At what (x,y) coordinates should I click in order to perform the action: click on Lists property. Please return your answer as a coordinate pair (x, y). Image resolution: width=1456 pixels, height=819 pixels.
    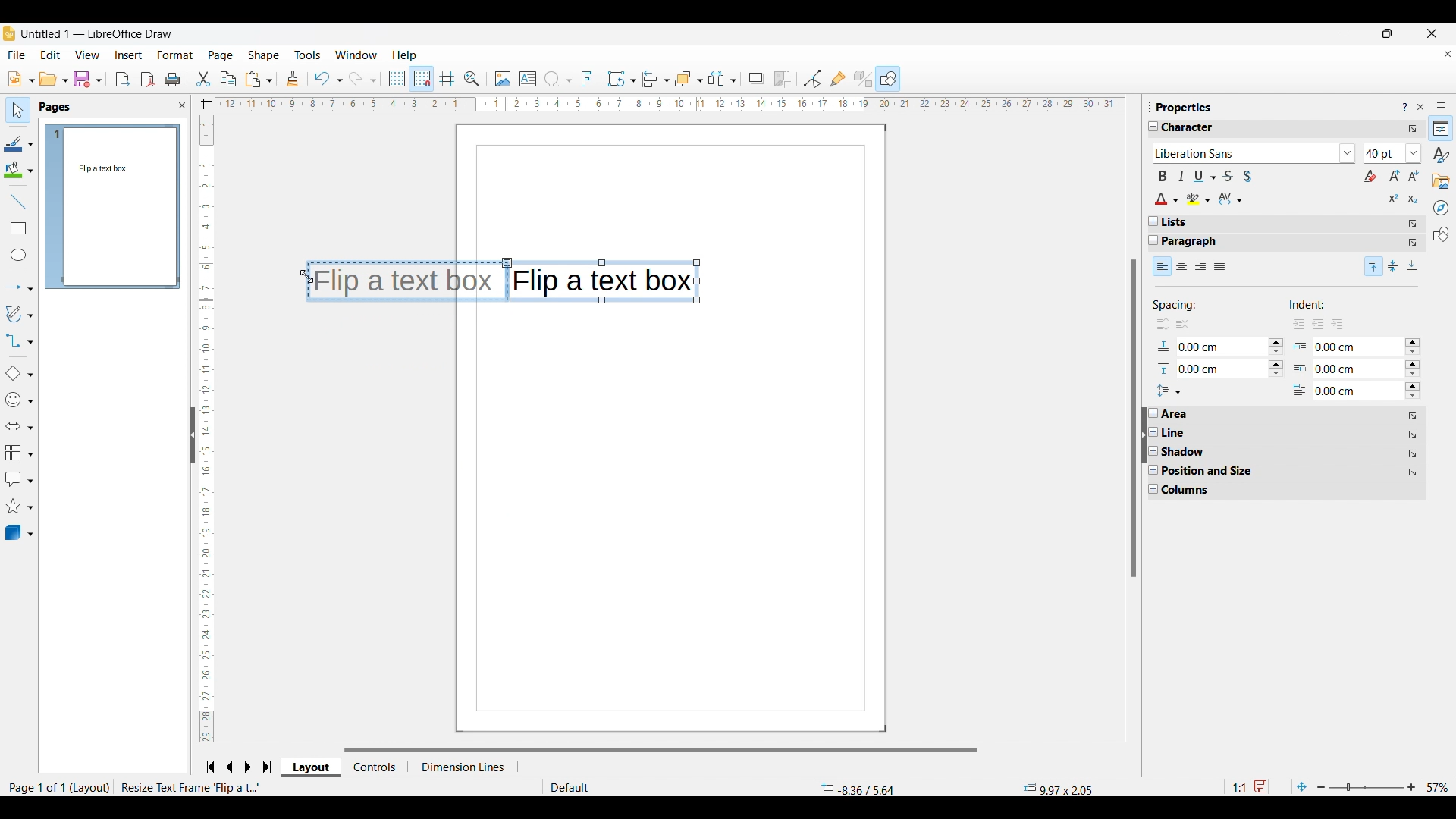
    Looking at the image, I should click on (1175, 222).